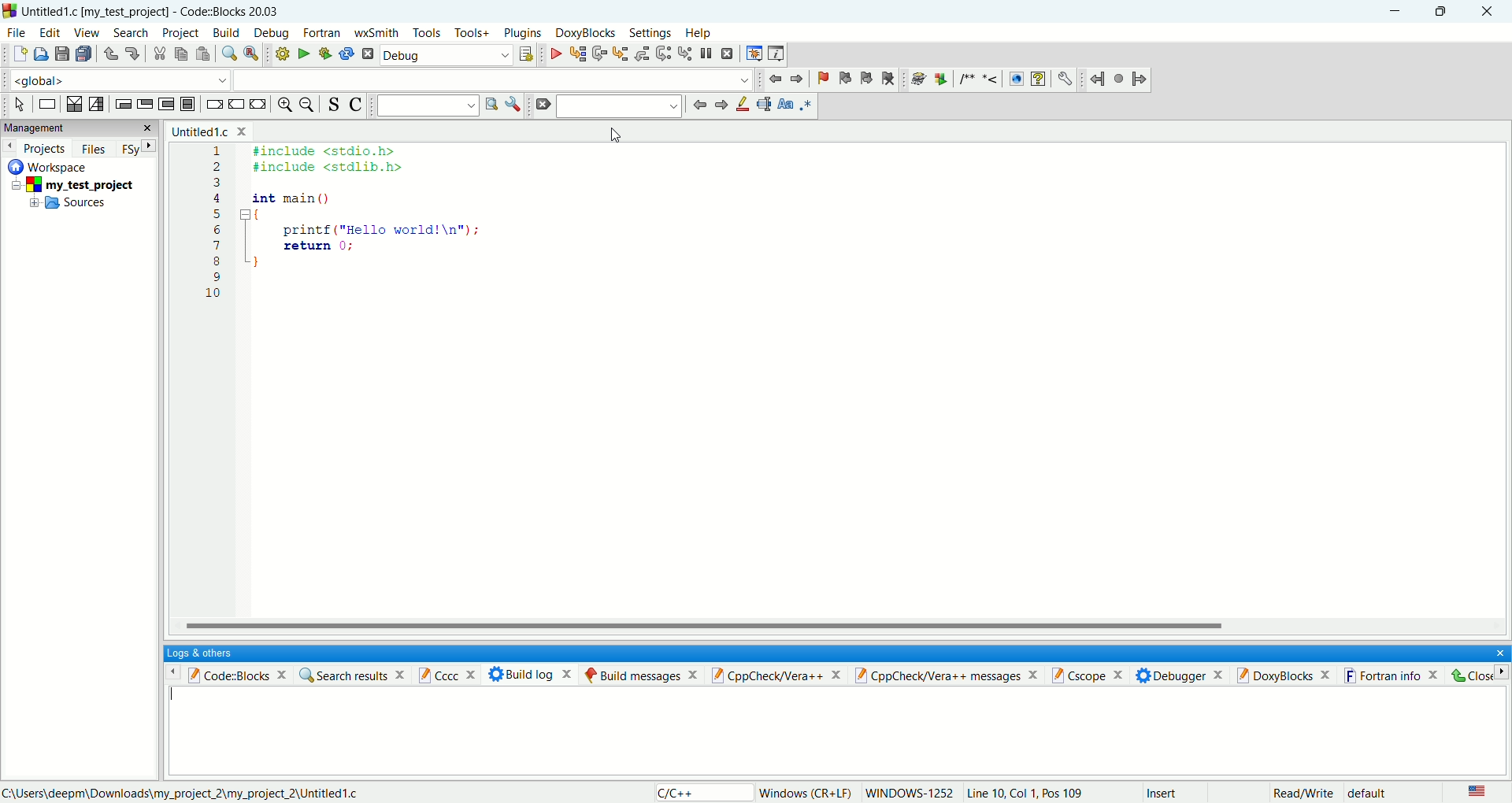  What do you see at coordinates (1495, 651) in the screenshot?
I see `close` at bounding box center [1495, 651].